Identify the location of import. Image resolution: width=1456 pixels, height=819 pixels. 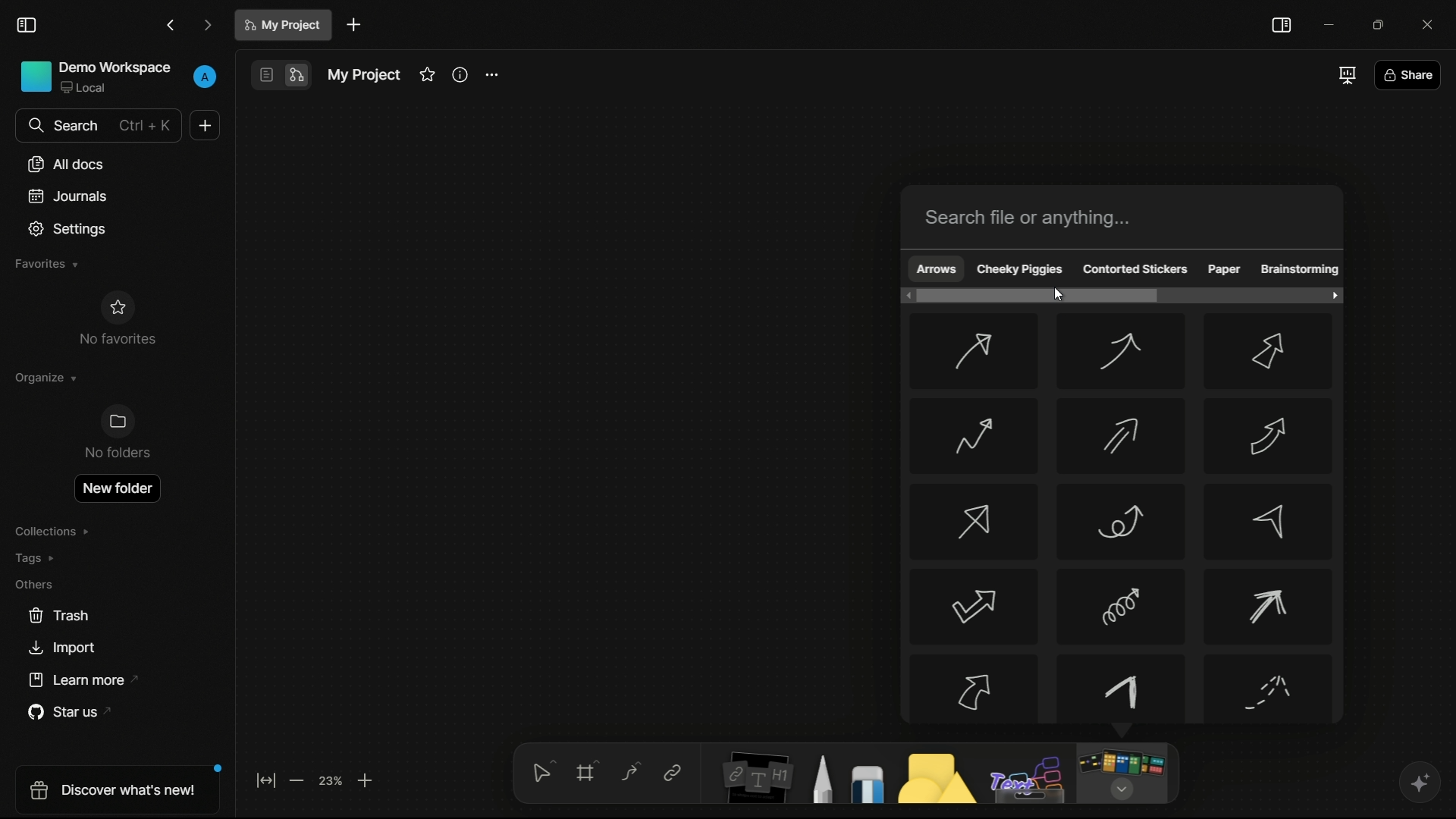
(61, 648).